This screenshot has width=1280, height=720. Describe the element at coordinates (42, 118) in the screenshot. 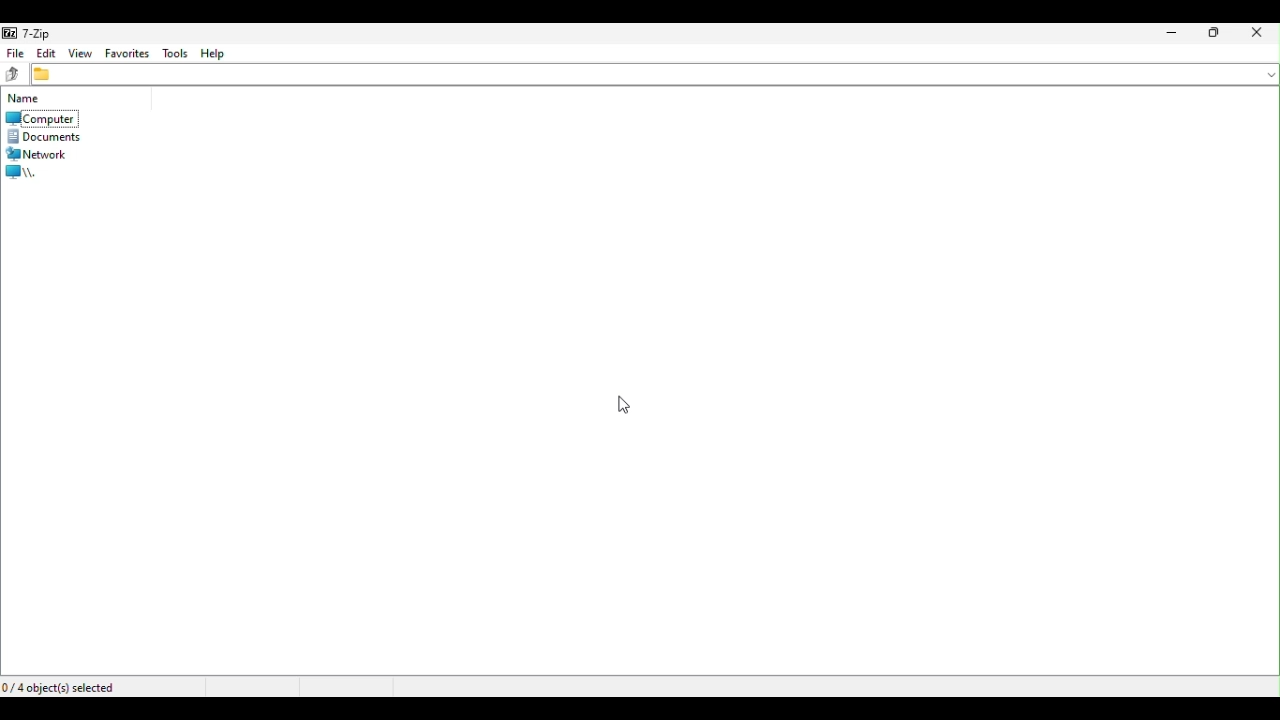

I see `computer` at that location.